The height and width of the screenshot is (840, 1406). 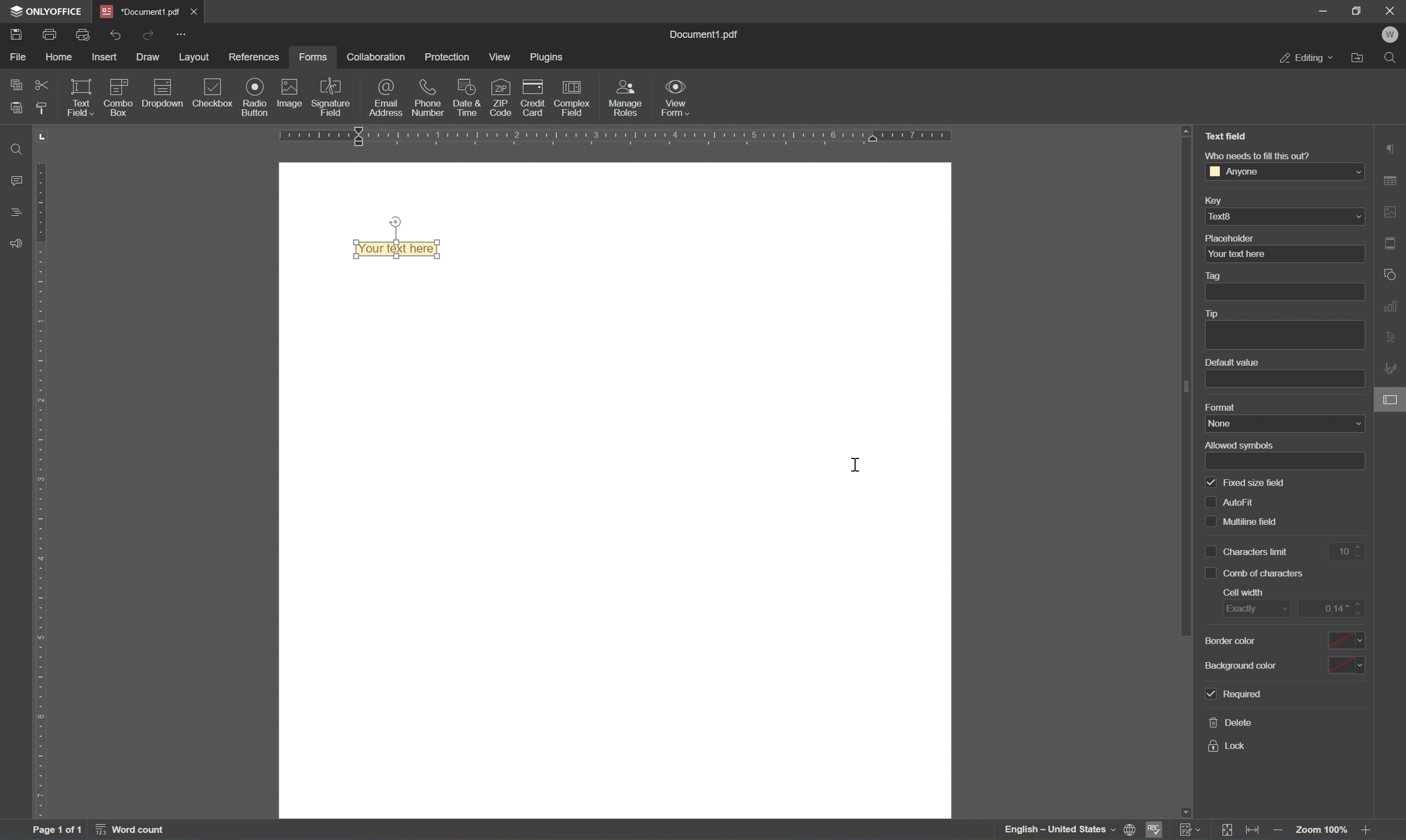 I want to click on collaboration, so click(x=378, y=58).